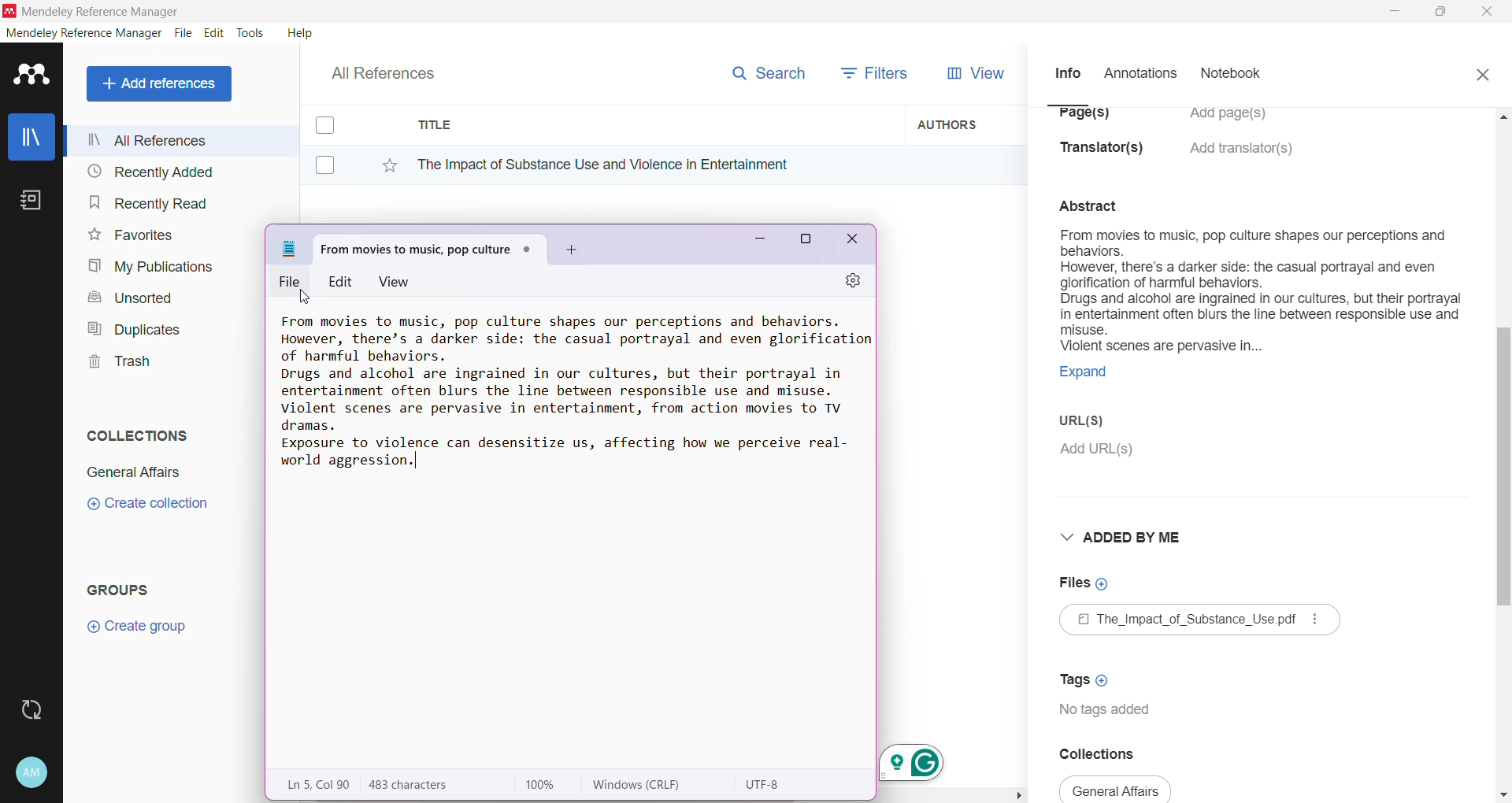 Image resolution: width=1512 pixels, height=803 pixels. I want to click on Line, Column of the pasted text area on the Notepad, so click(317, 784).